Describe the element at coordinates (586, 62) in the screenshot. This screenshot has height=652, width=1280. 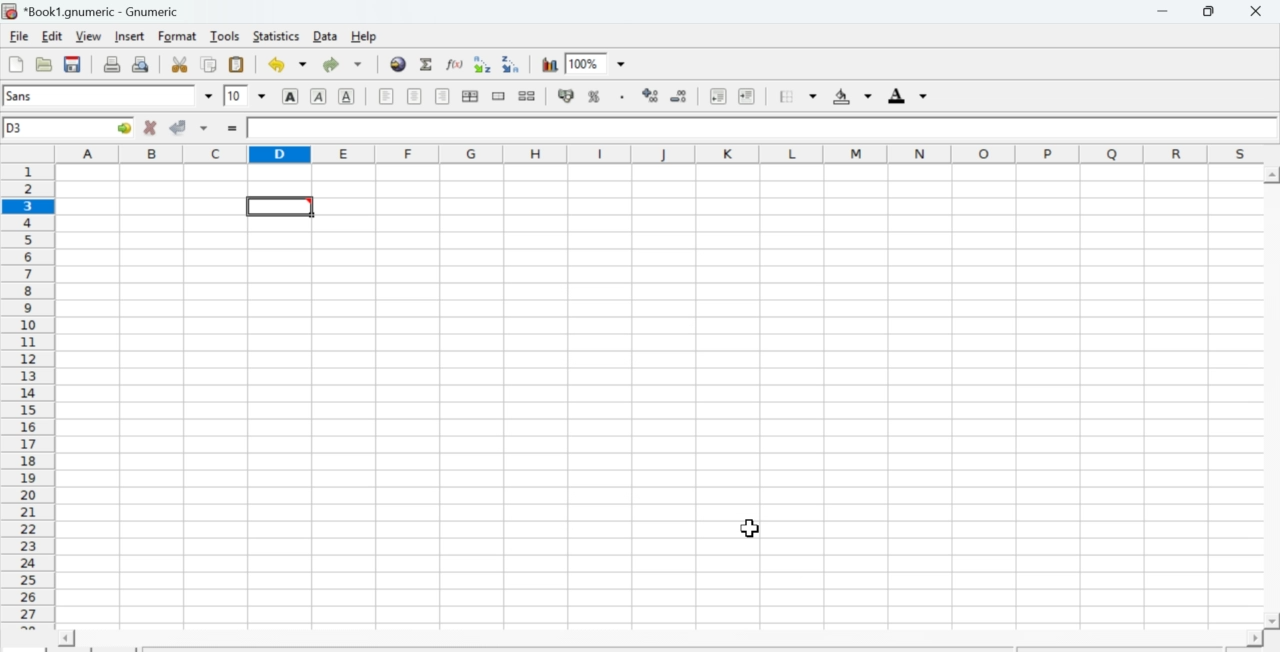
I see `Zoom` at that location.